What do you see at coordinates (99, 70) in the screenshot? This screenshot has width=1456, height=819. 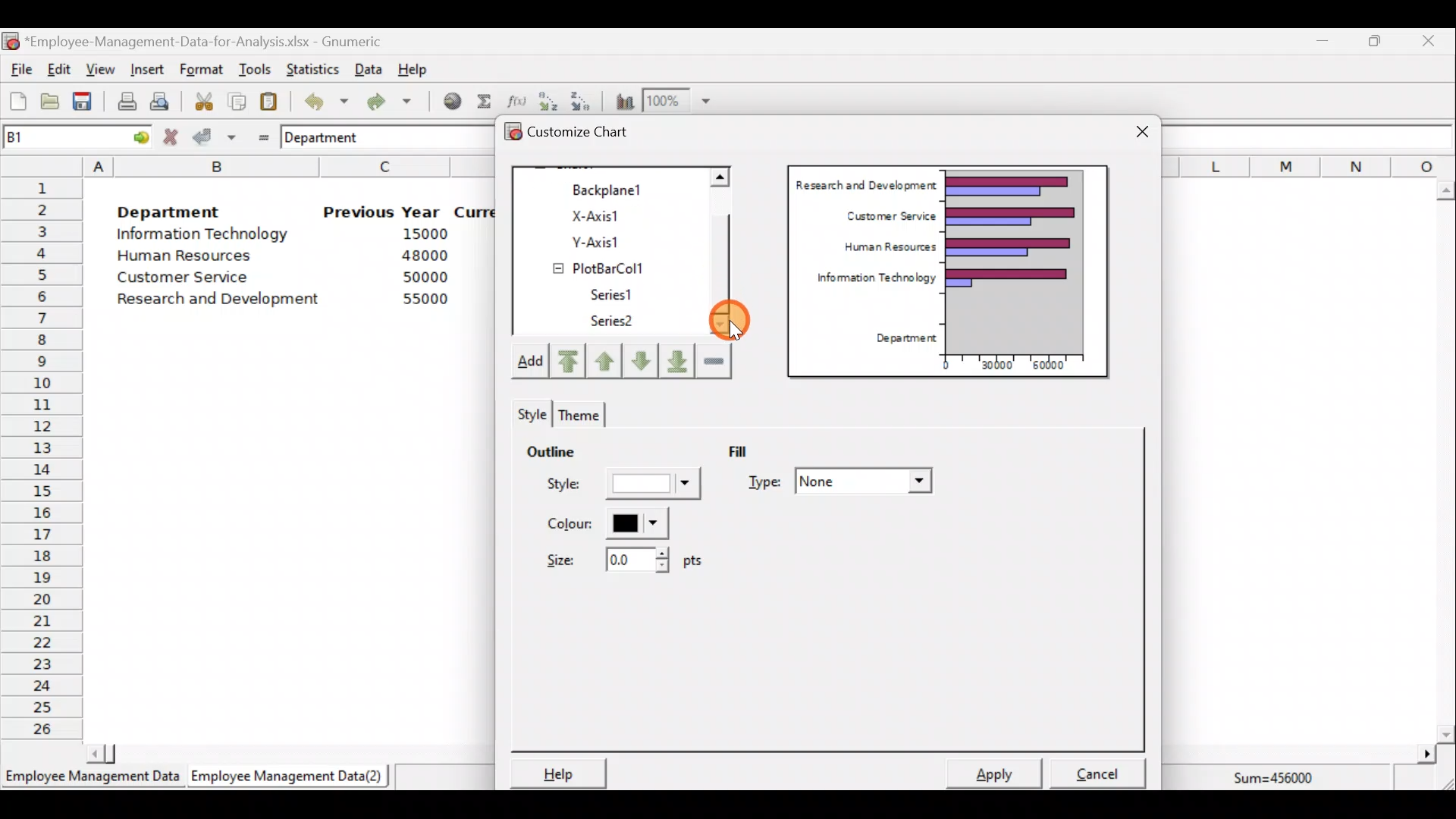 I see `View` at bounding box center [99, 70].